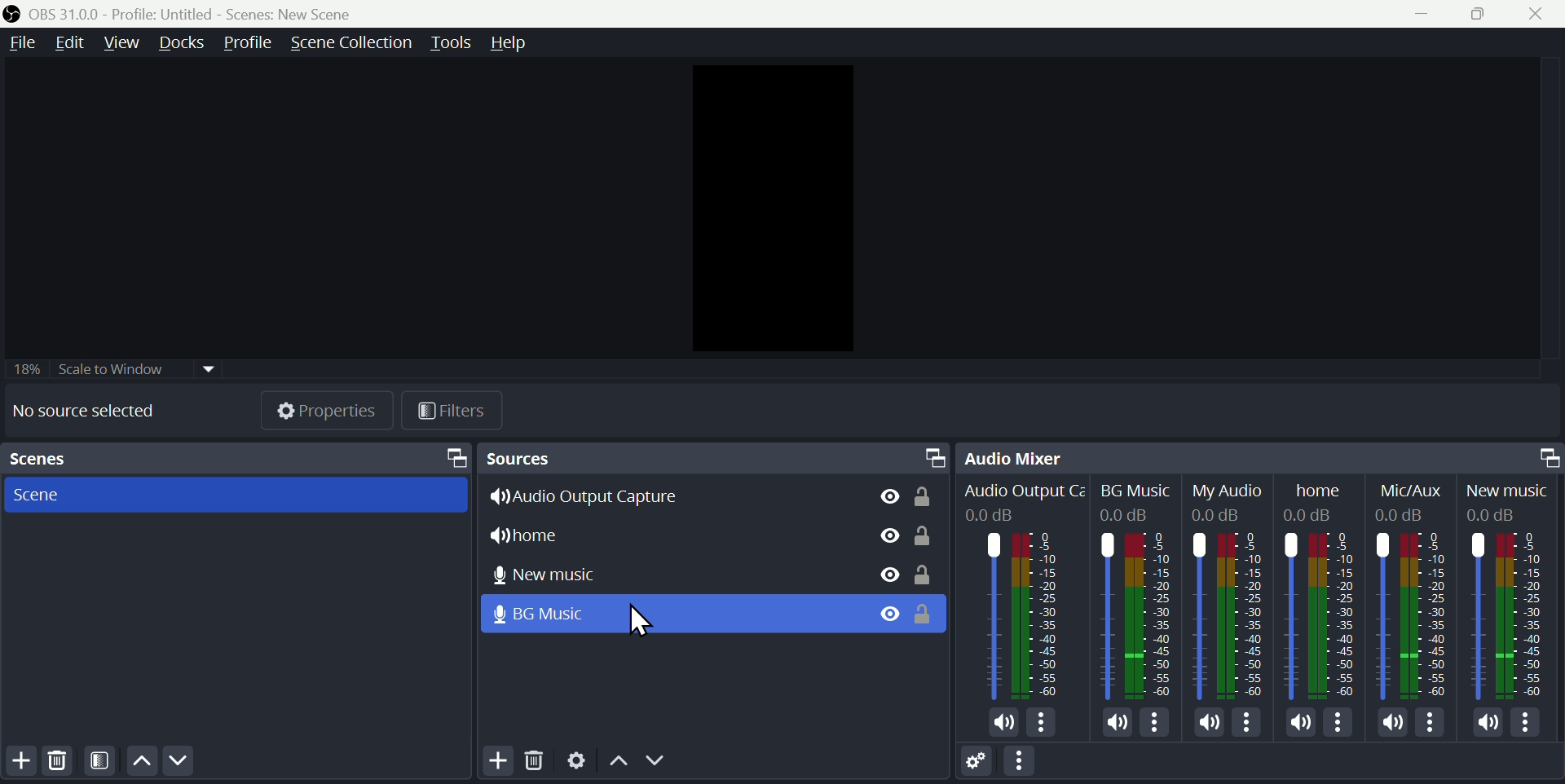 The width and height of the screenshot is (1565, 784). I want to click on New music, so click(561, 572).